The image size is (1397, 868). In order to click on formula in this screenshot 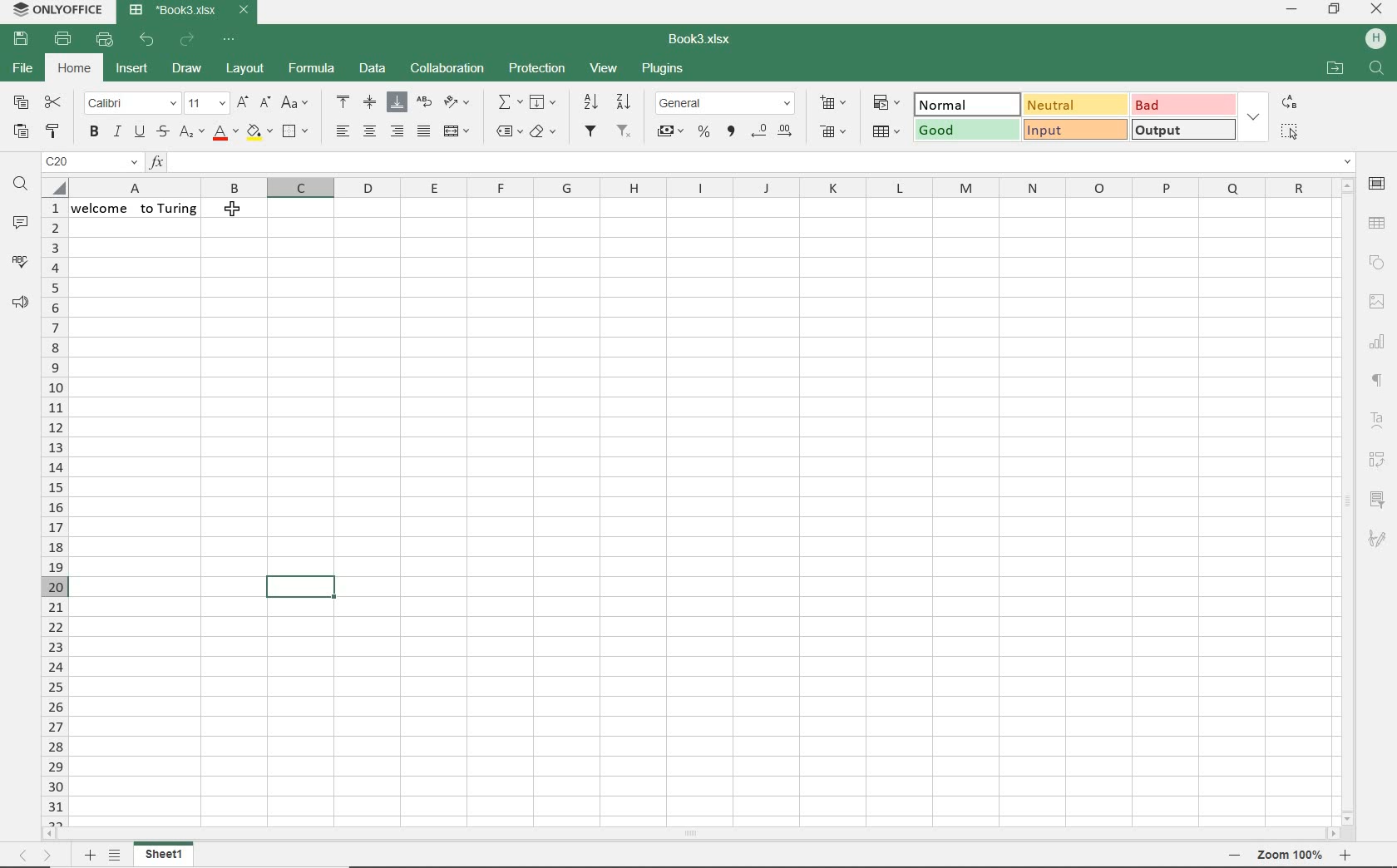, I will do `click(312, 68)`.